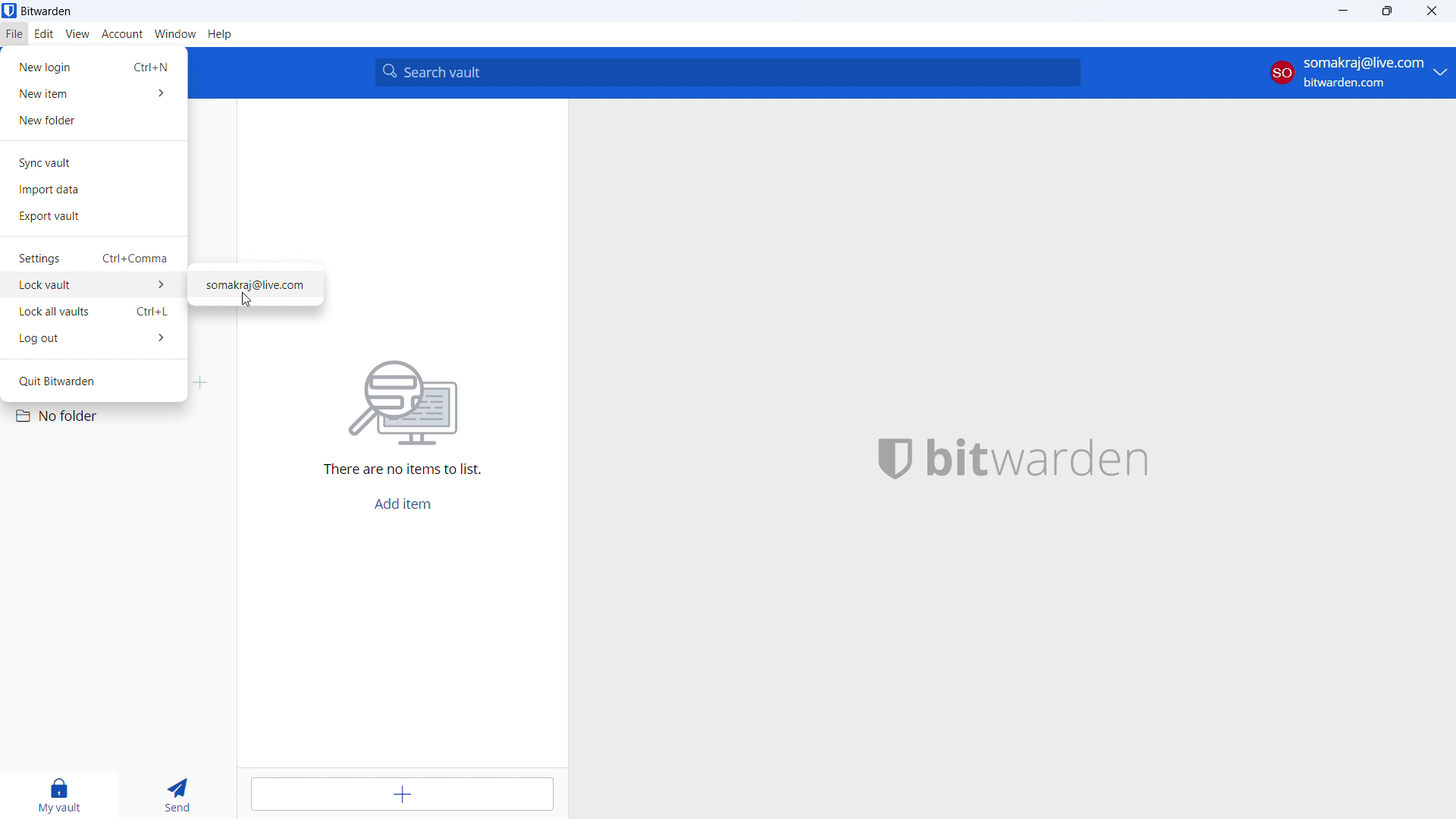 The width and height of the screenshot is (1456, 819). Describe the element at coordinates (257, 285) in the screenshot. I see `mail id` at that location.